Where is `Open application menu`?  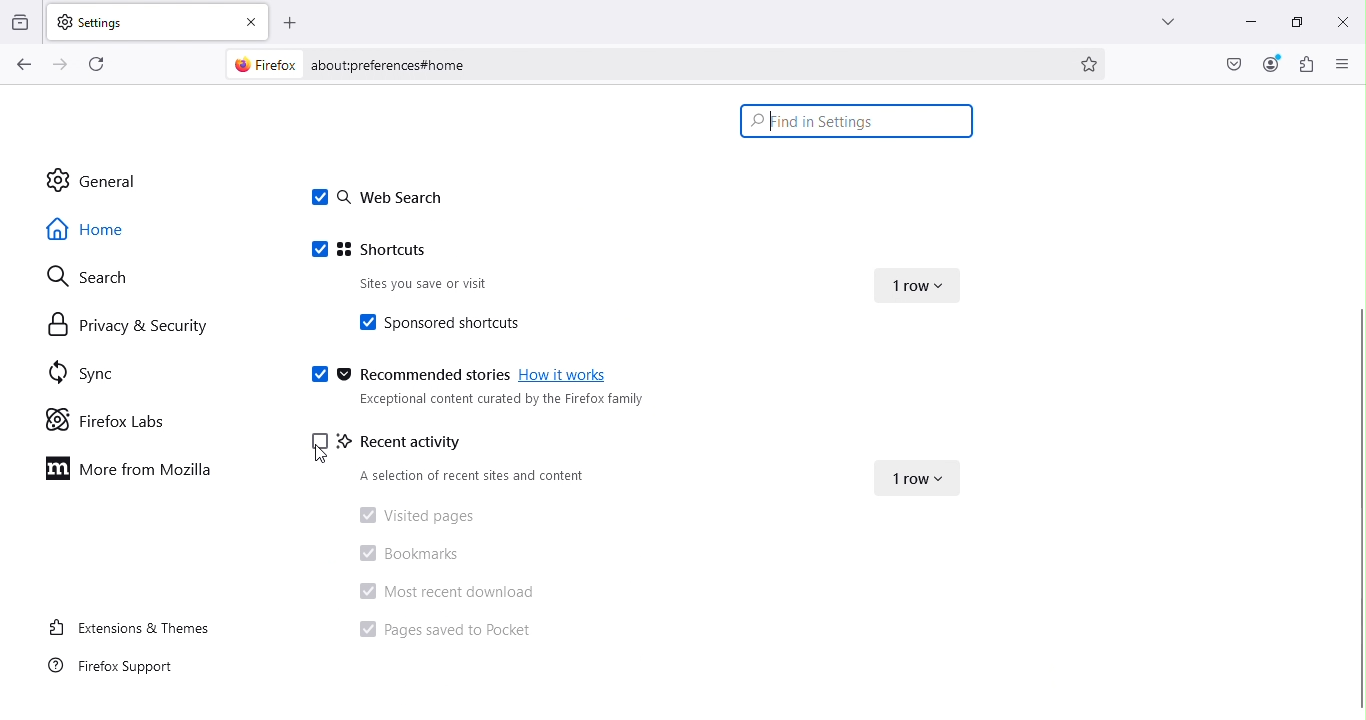 Open application menu is located at coordinates (1344, 65).